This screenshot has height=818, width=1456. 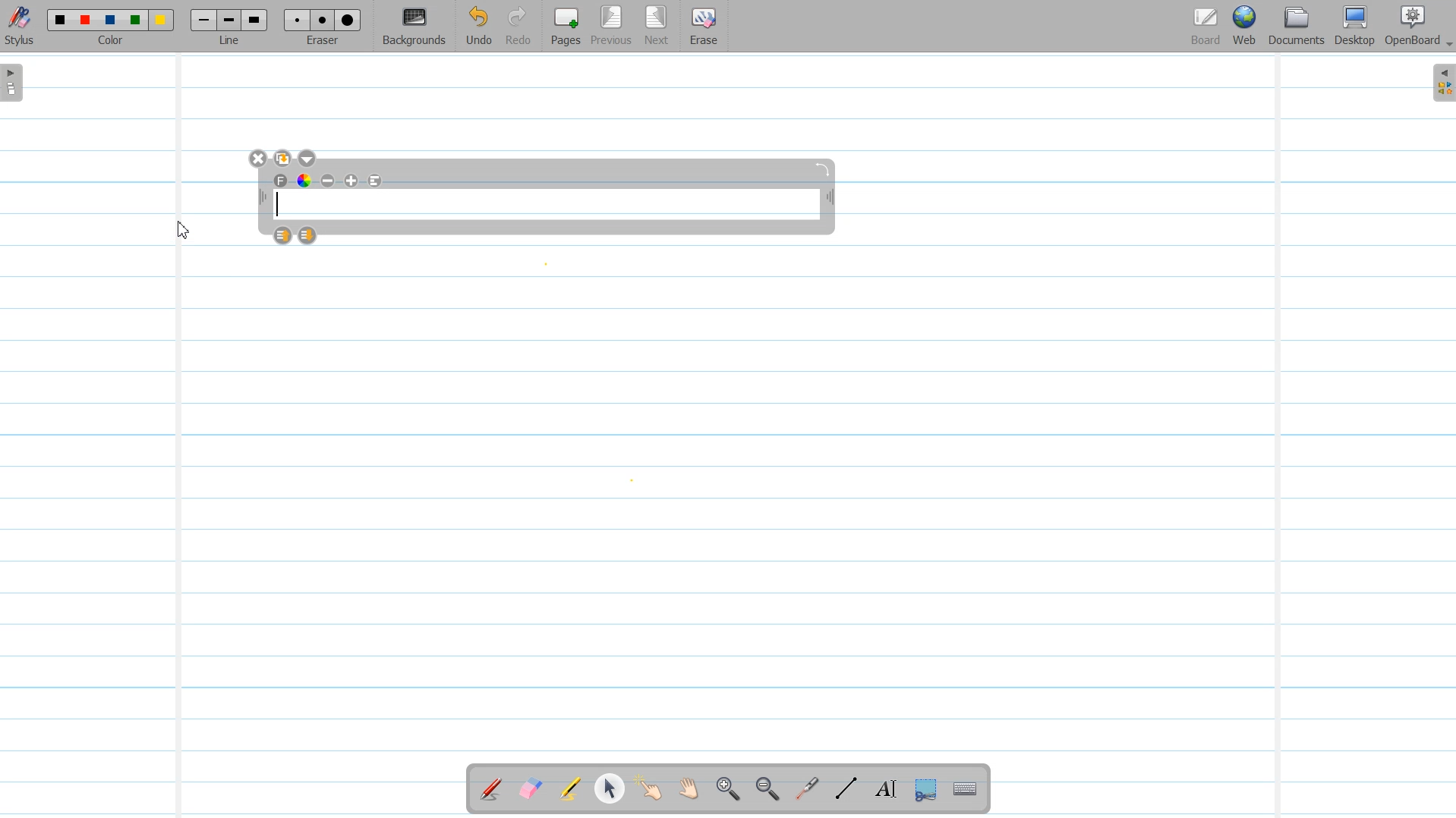 What do you see at coordinates (1441, 83) in the screenshot?
I see `Sidebar ` at bounding box center [1441, 83].